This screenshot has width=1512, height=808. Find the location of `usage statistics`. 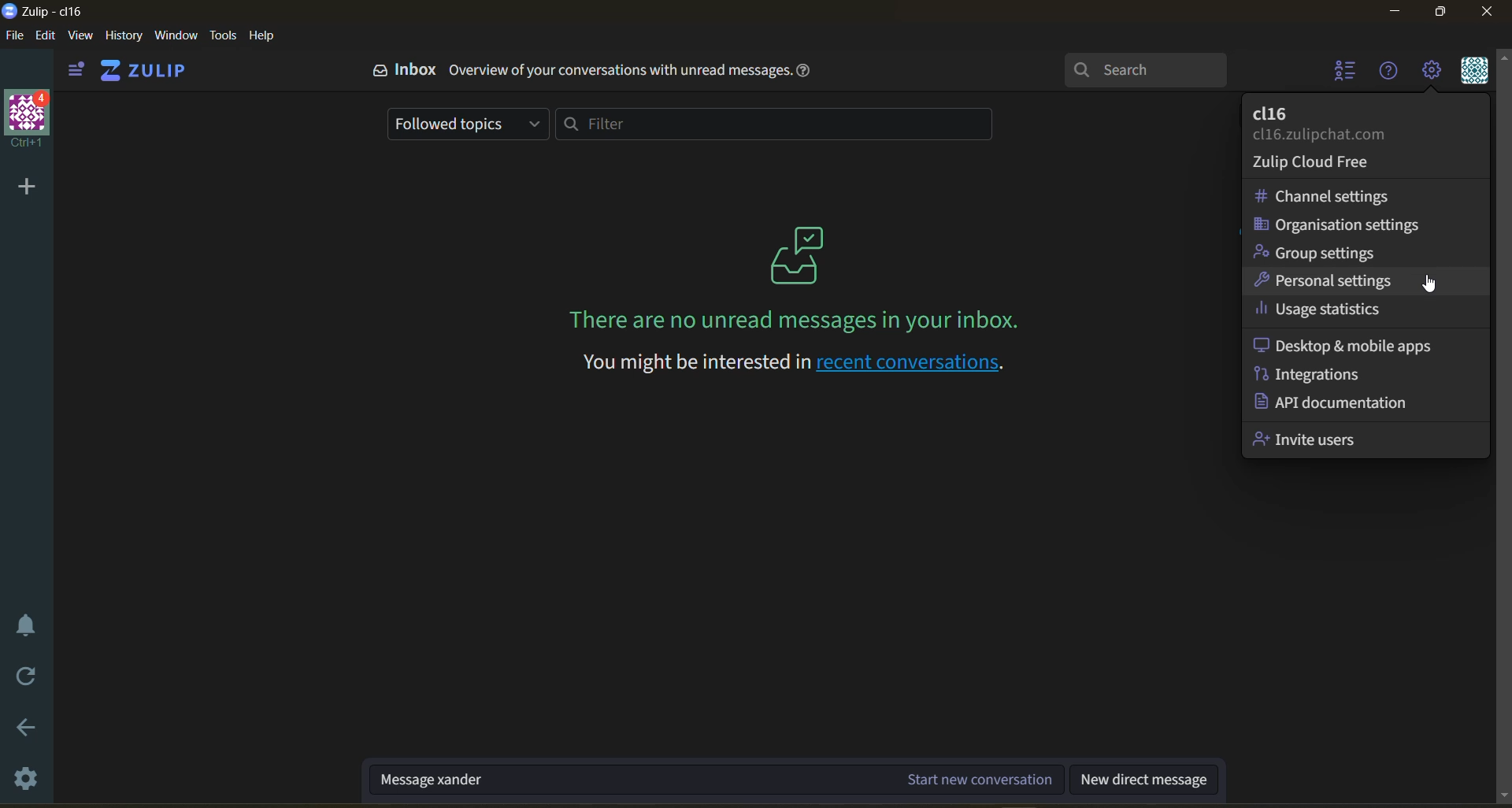

usage statistics is located at coordinates (1337, 310).